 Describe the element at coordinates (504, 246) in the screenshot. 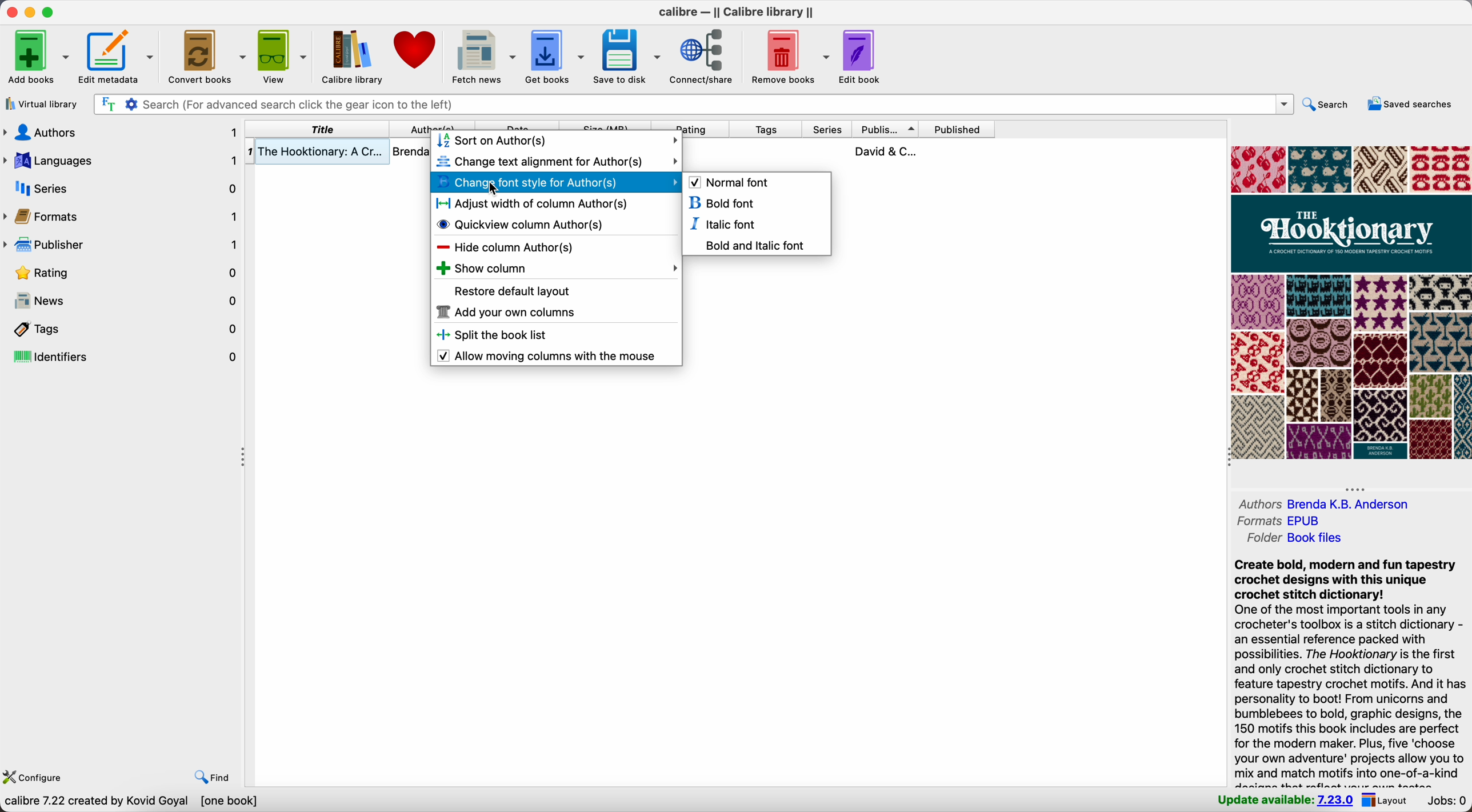

I see `hide column author(s)` at that location.